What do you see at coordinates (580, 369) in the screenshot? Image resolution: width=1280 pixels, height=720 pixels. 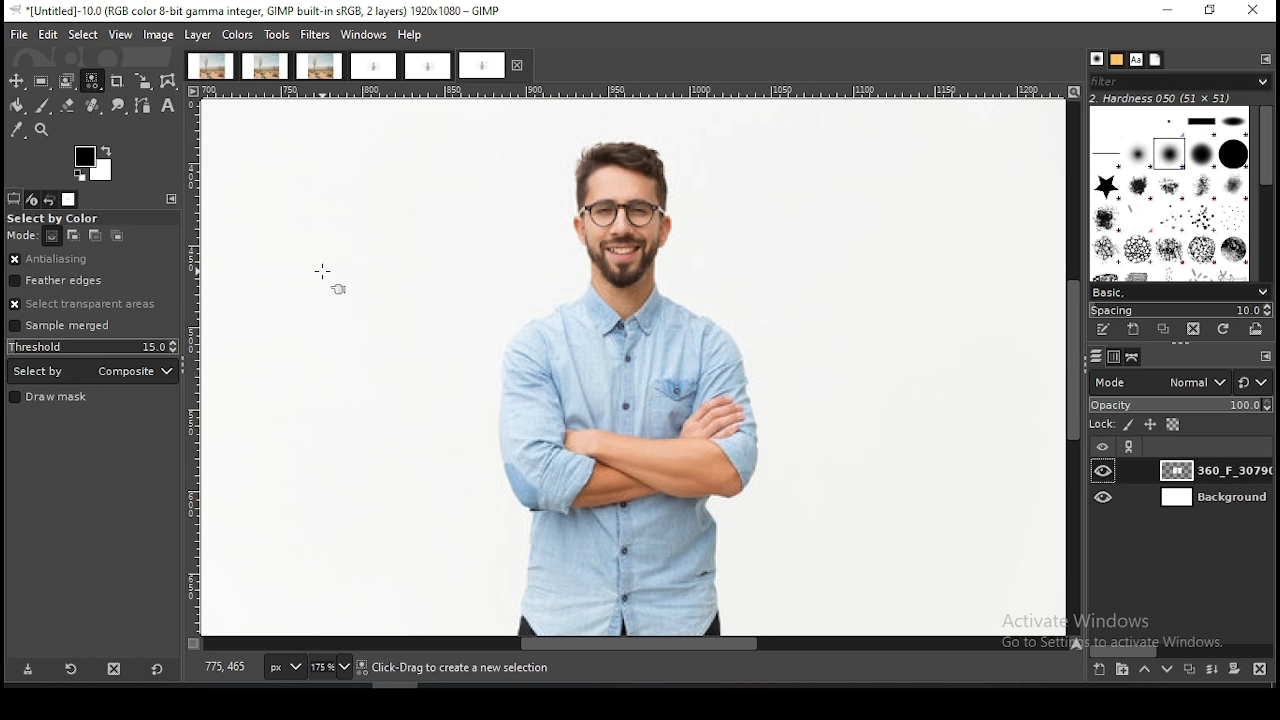 I see `image` at bounding box center [580, 369].